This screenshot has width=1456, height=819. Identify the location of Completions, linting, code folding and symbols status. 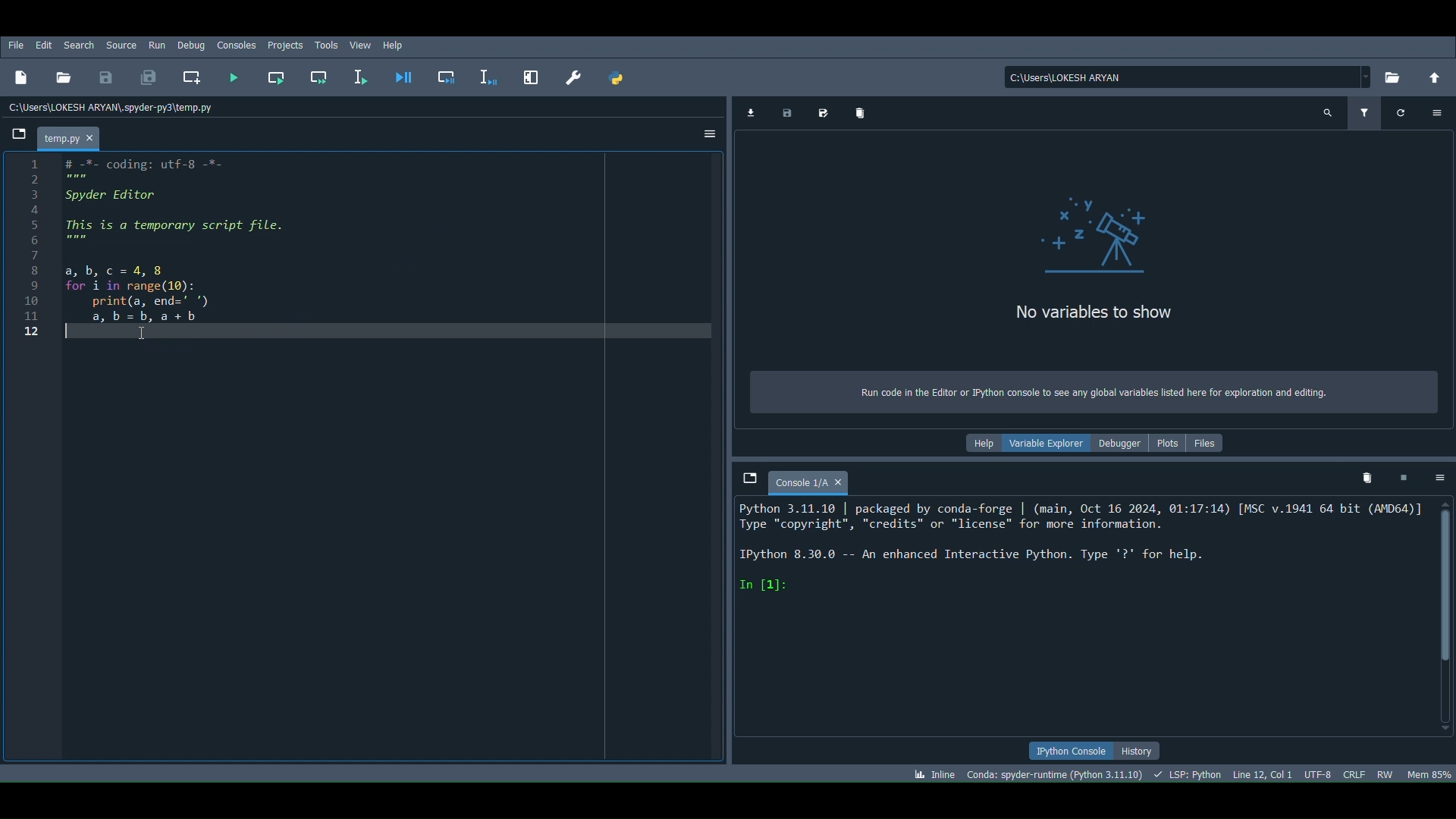
(1188, 774).